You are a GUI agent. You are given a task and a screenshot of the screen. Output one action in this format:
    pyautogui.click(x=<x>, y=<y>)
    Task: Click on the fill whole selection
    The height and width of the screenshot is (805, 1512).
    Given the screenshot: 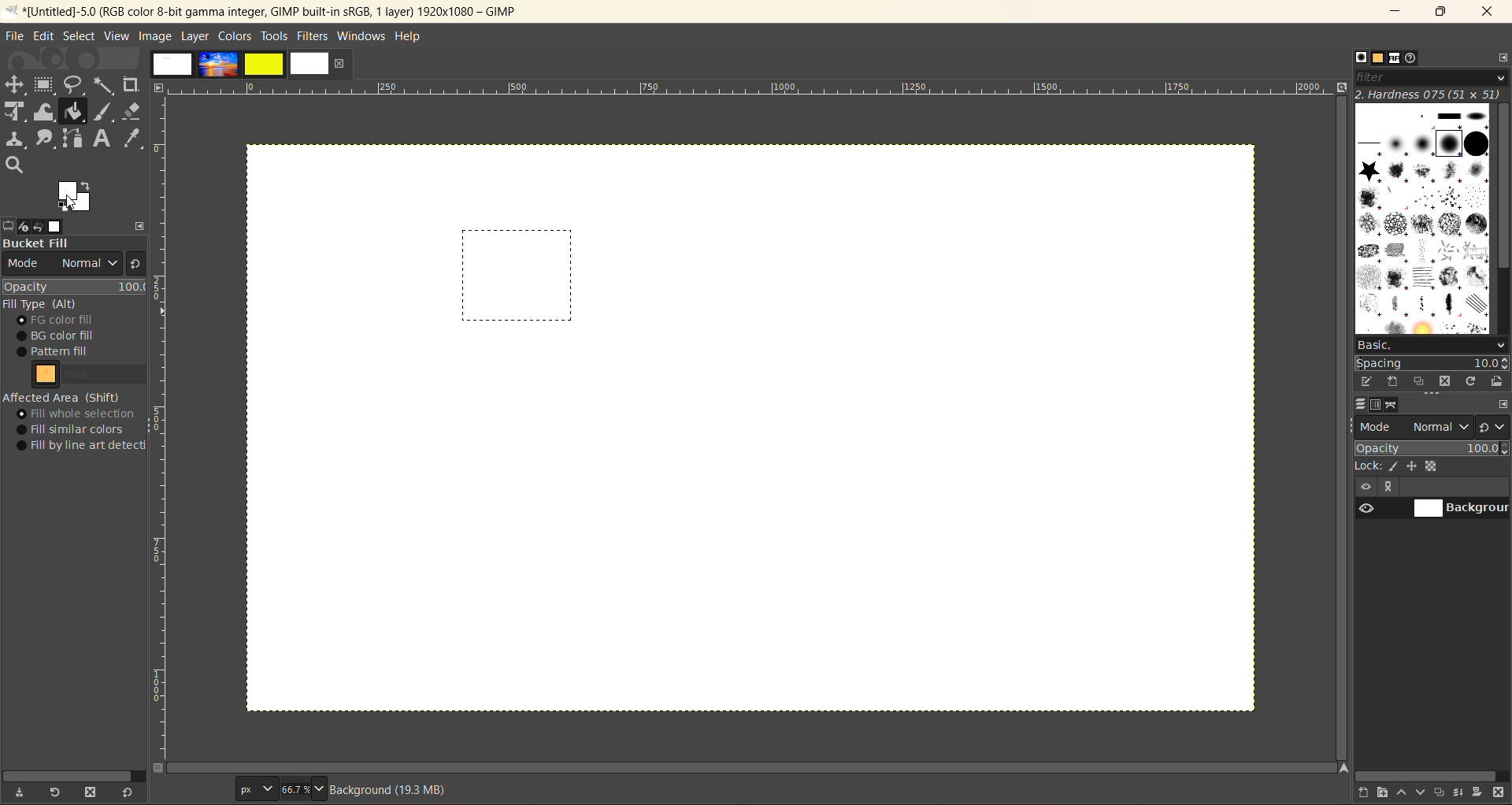 What is the action you would take?
    pyautogui.click(x=81, y=414)
    